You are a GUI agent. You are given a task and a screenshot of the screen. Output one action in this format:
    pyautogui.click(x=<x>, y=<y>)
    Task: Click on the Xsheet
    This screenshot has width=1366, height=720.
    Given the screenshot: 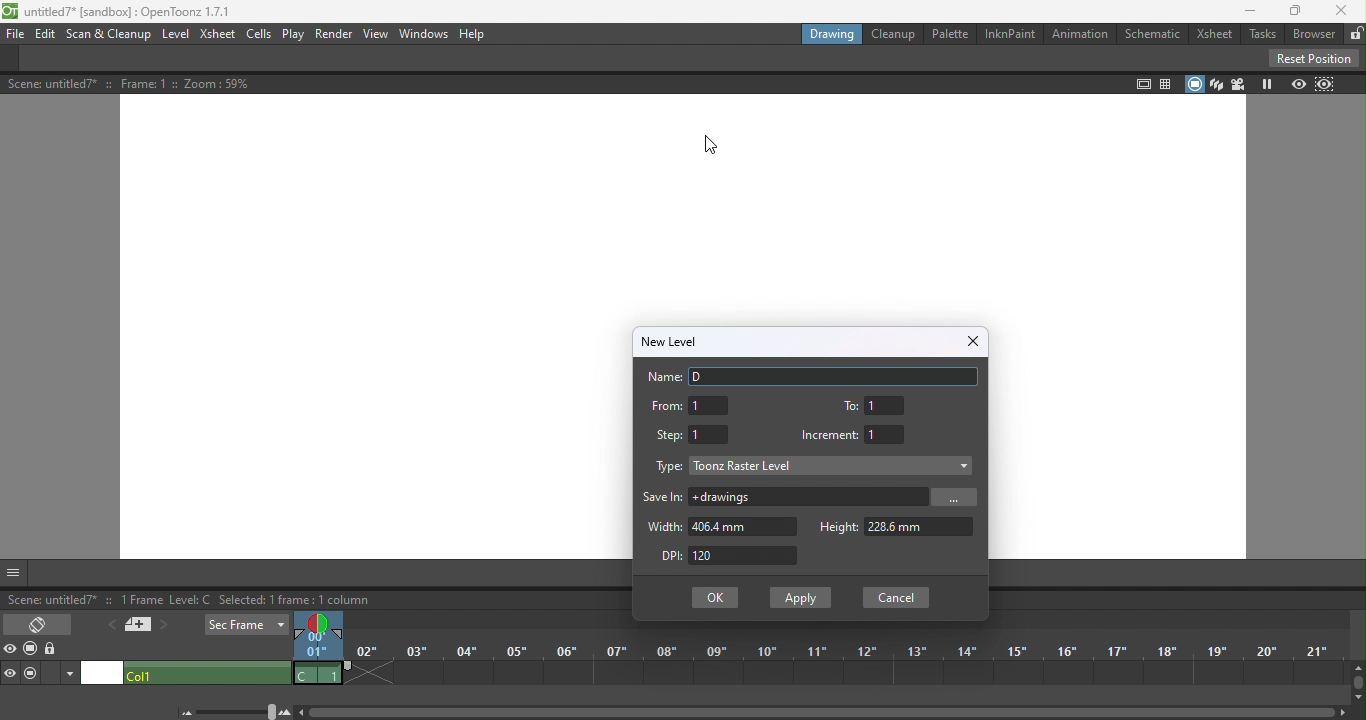 What is the action you would take?
    pyautogui.click(x=1217, y=35)
    